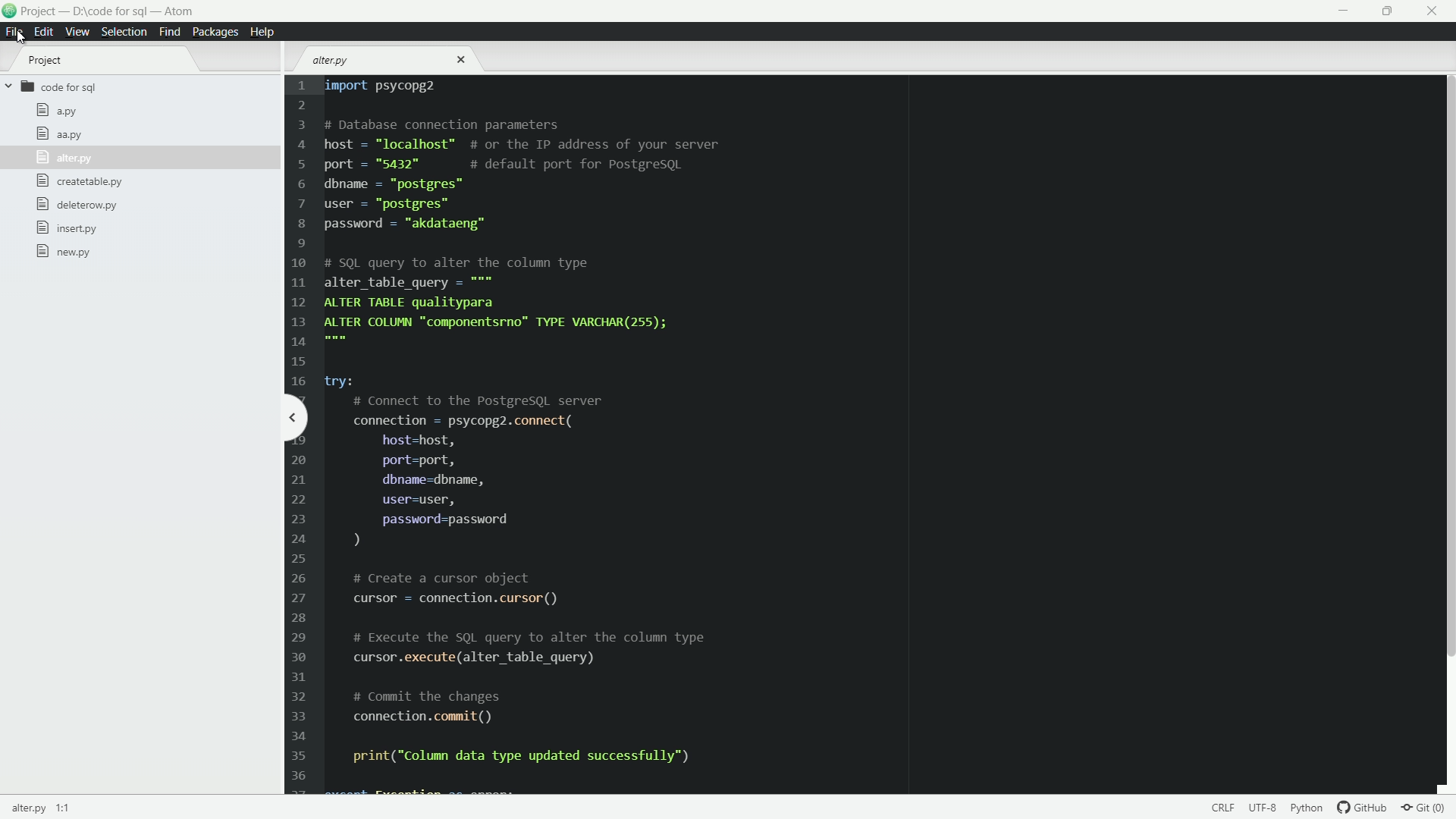 The width and height of the screenshot is (1456, 819). Describe the element at coordinates (10, 12) in the screenshot. I see `logo` at that location.